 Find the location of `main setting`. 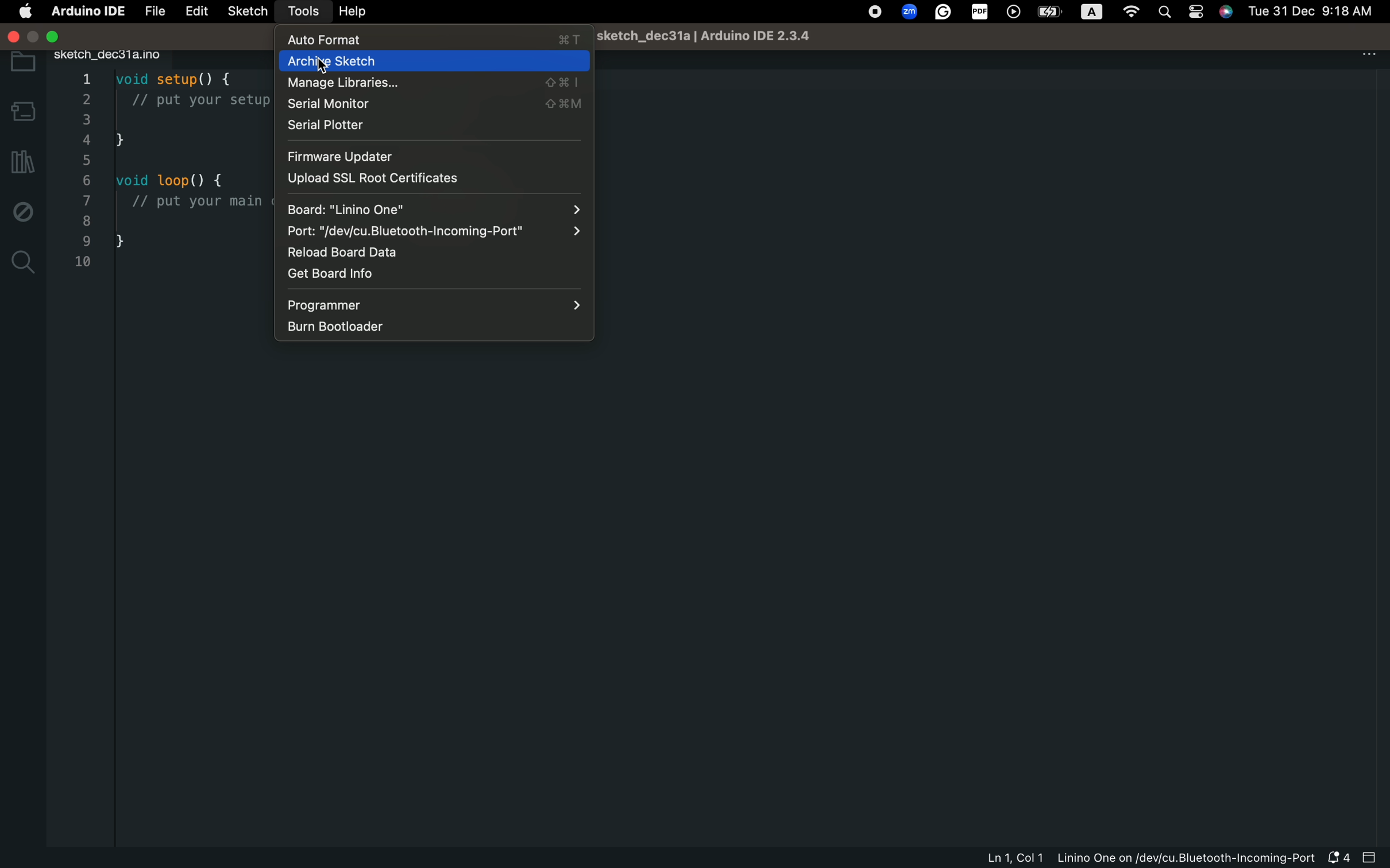

main setting is located at coordinates (25, 12).